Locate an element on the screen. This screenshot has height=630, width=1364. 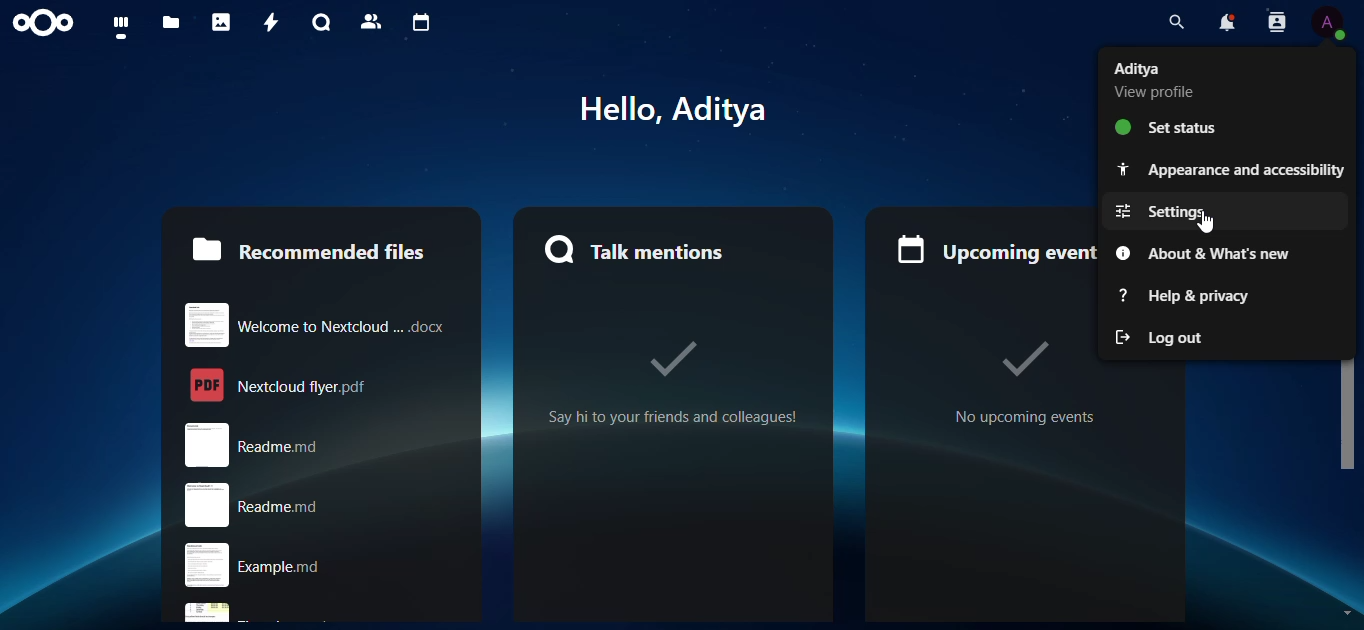
search is located at coordinates (1171, 22).